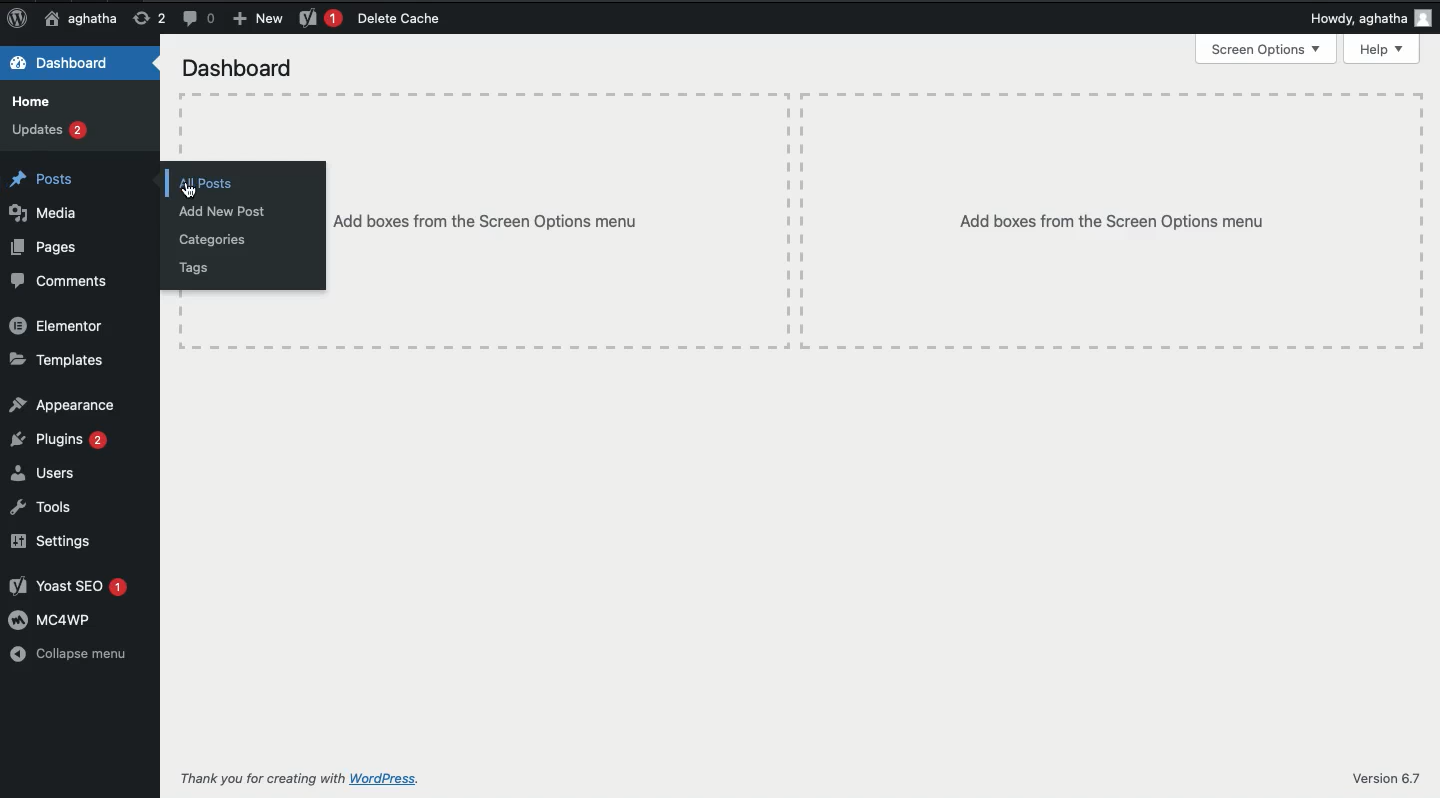  What do you see at coordinates (259, 17) in the screenshot?
I see `New` at bounding box center [259, 17].